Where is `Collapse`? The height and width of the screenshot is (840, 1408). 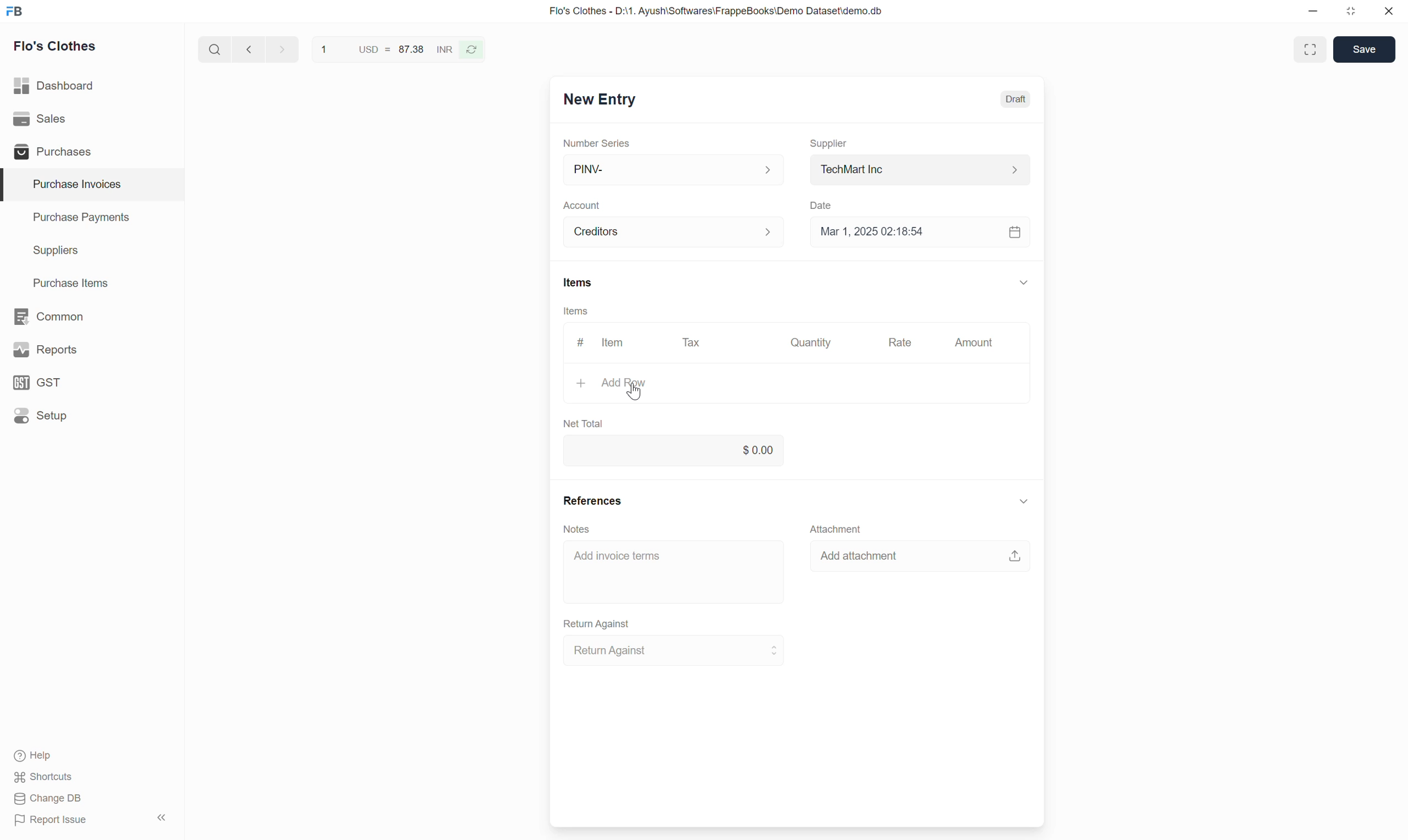 Collapse is located at coordinates (1024, 501).